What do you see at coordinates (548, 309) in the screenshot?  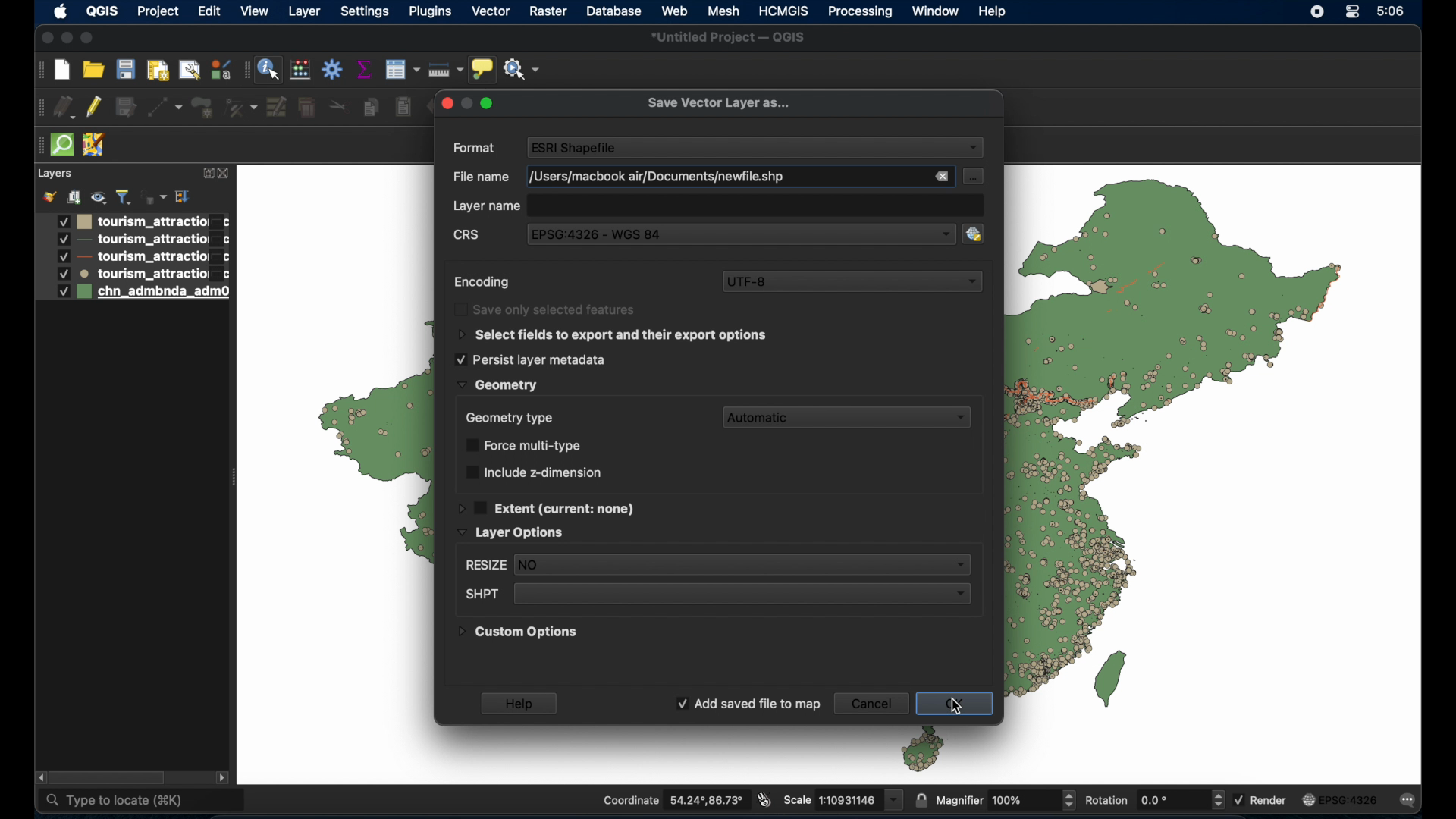 I see `obscured text` at bounding box center [548, 309].